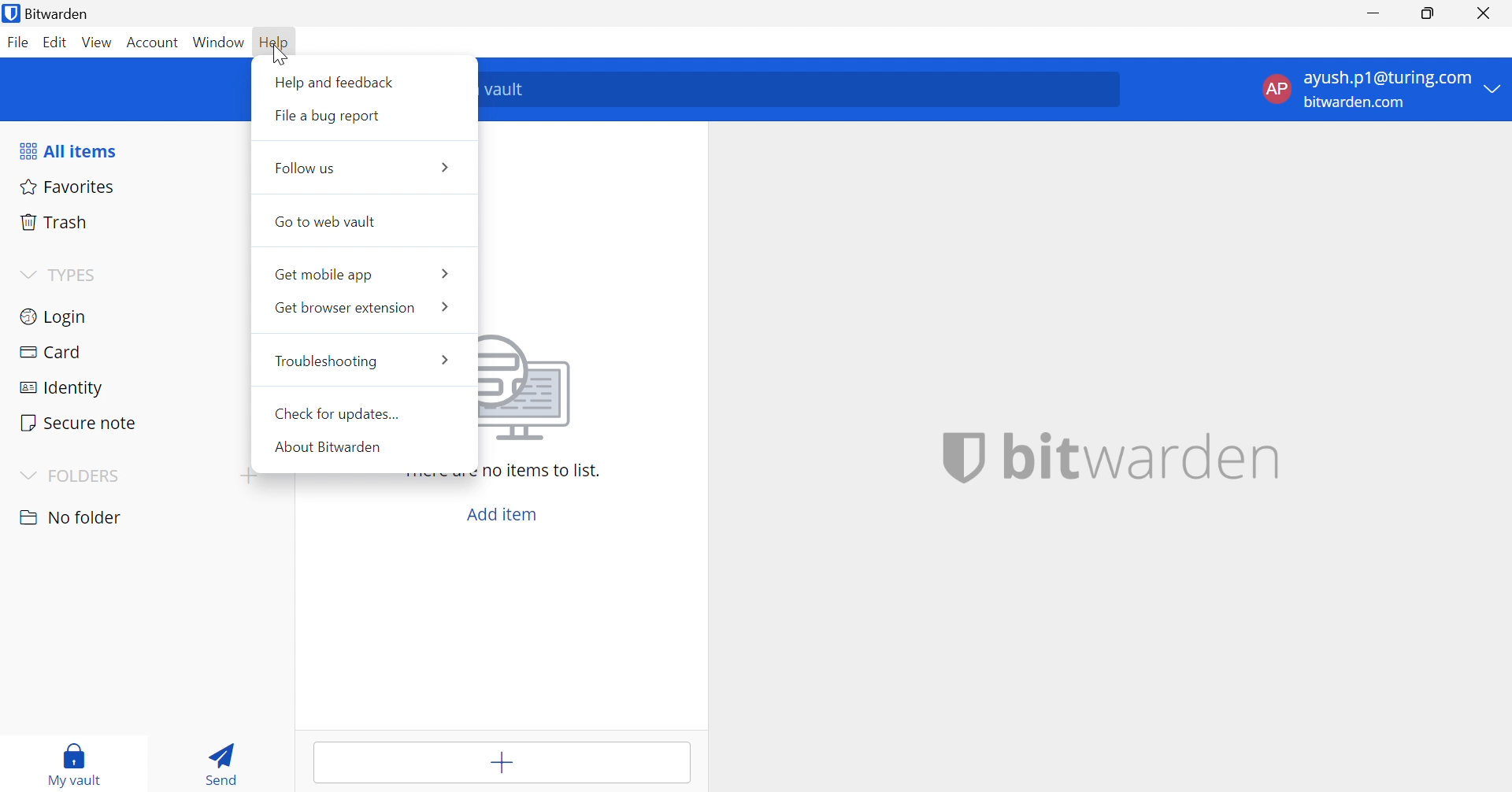 The width and height of the screenshot is (1512, 792). I want to click on Send, so click(225, 761).